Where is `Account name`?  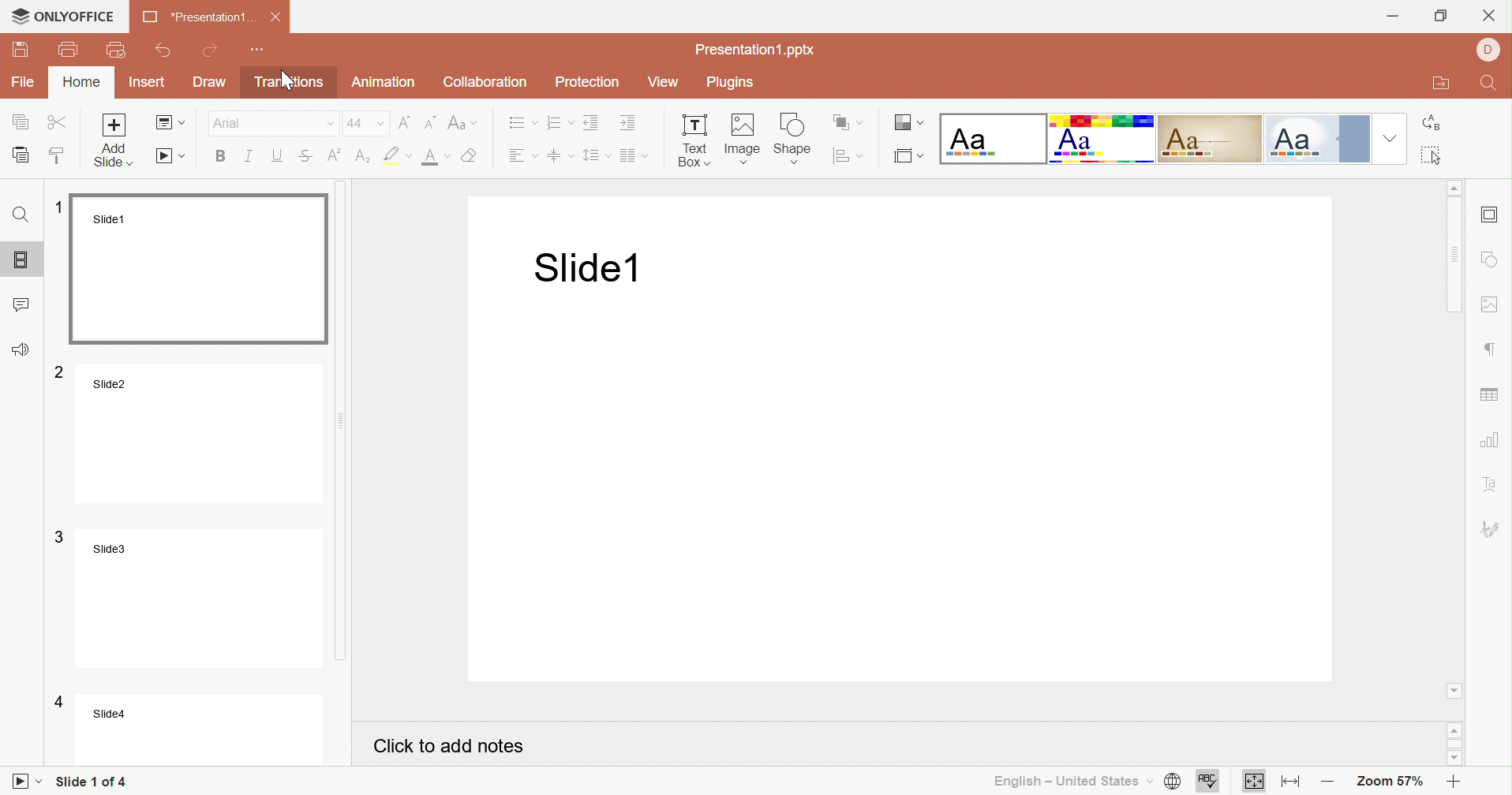
Account name is located at coordinates (1489, 50).